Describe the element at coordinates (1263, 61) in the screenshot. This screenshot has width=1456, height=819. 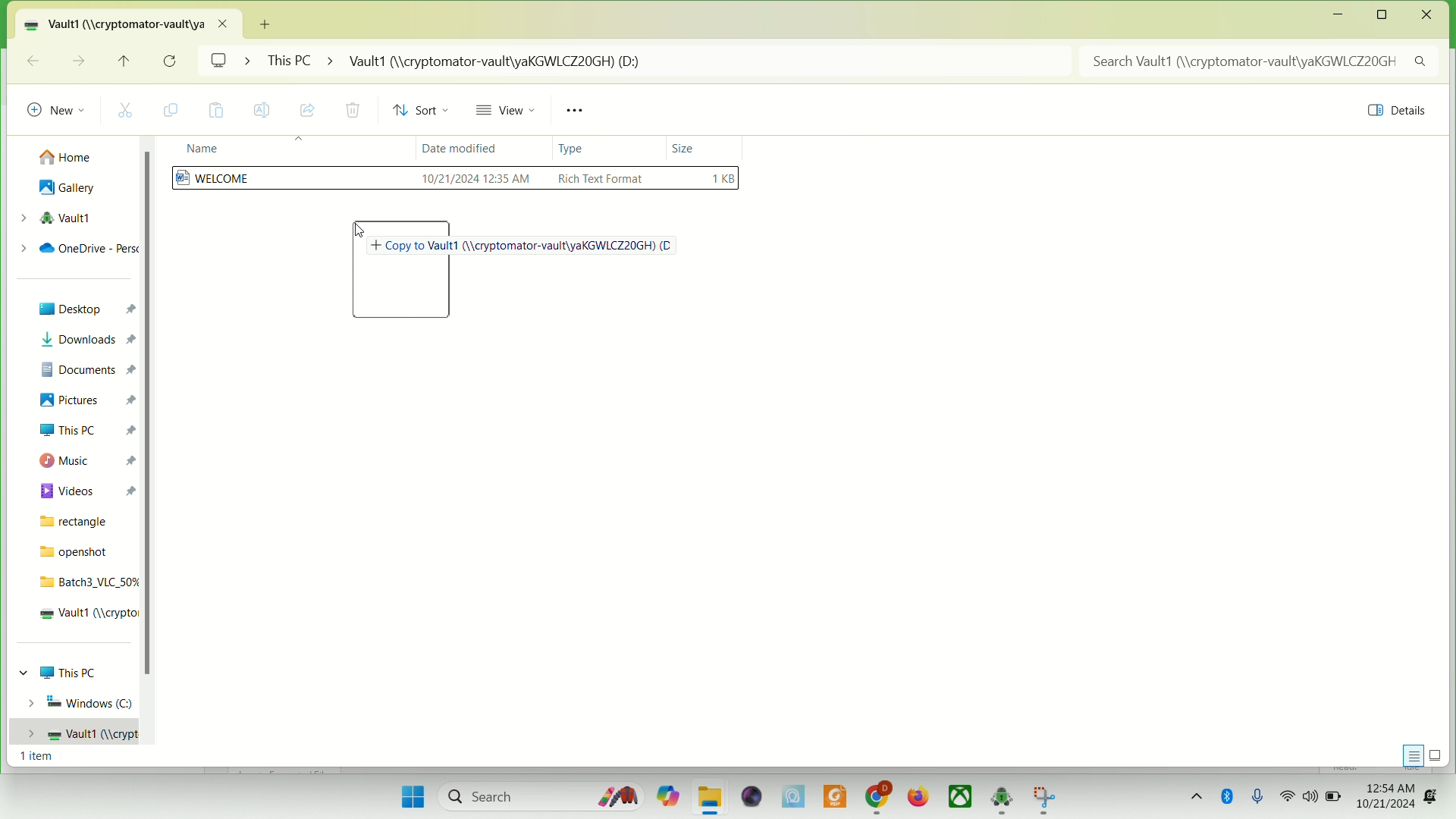
I see `search Vault1 (//cryptomator-vault/)` at that location.